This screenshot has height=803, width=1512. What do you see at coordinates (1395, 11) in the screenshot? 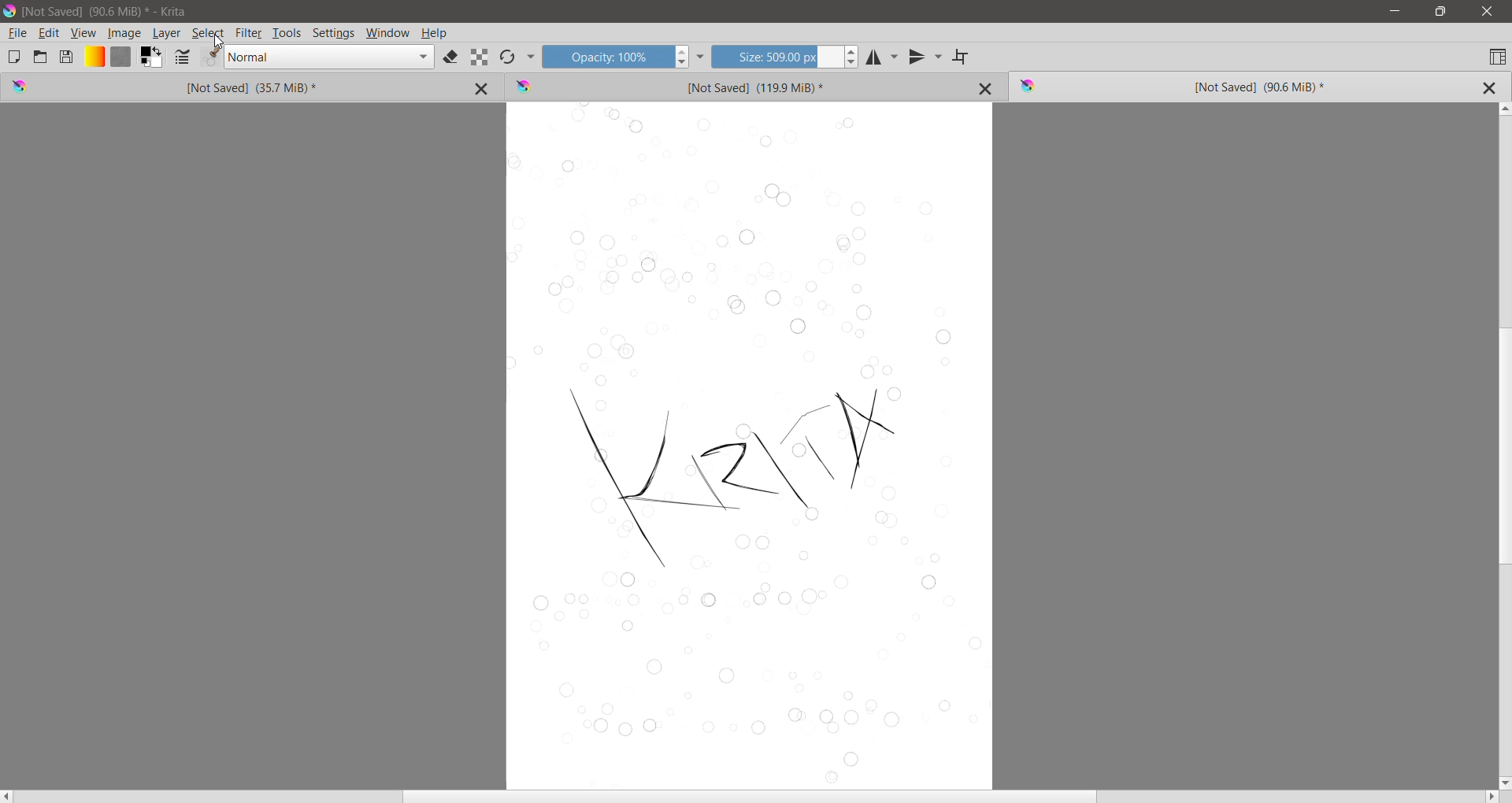
I see `Minimize` at bounding box center [1395, 11].